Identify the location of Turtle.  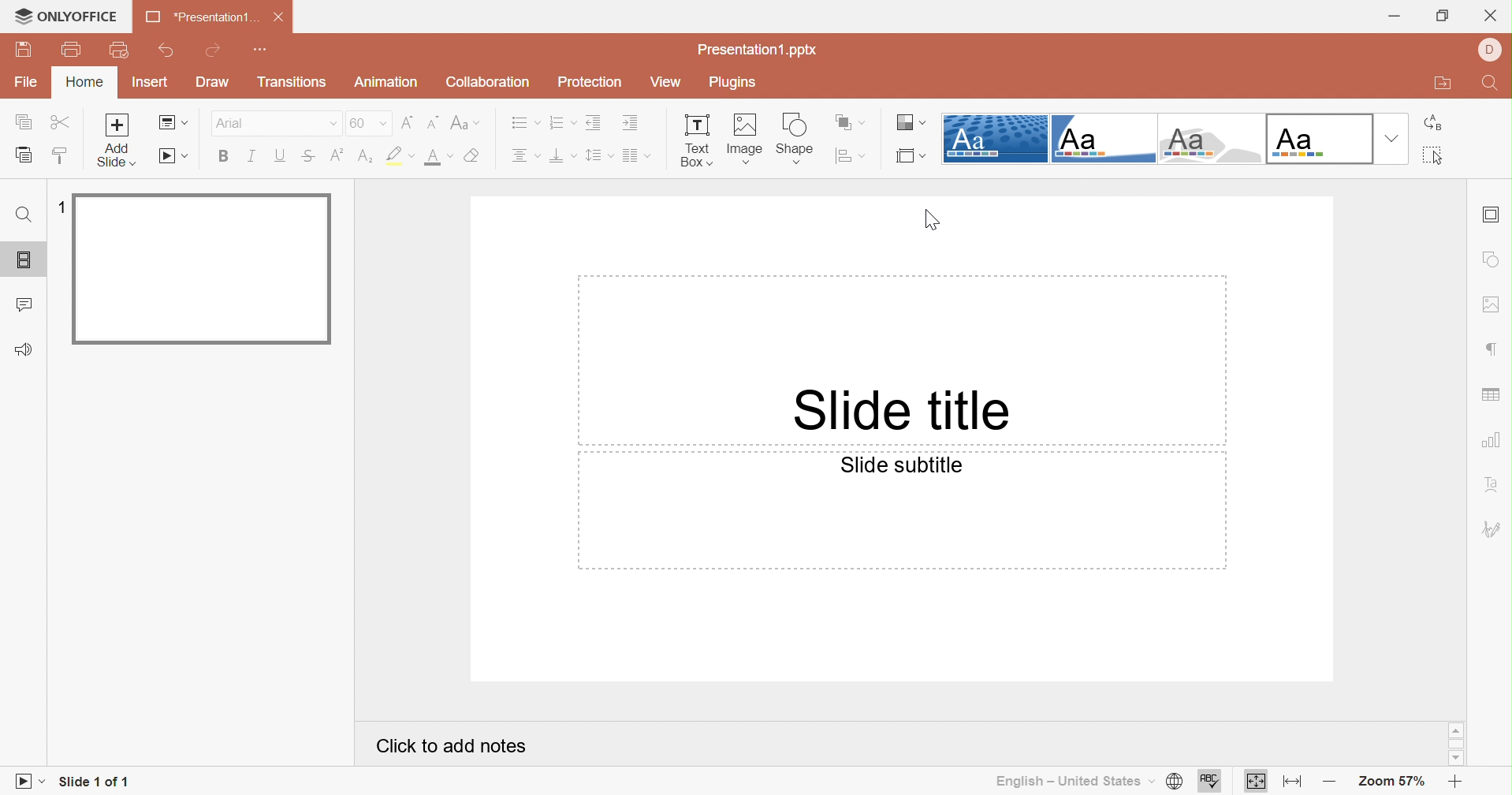
(1208, 139).